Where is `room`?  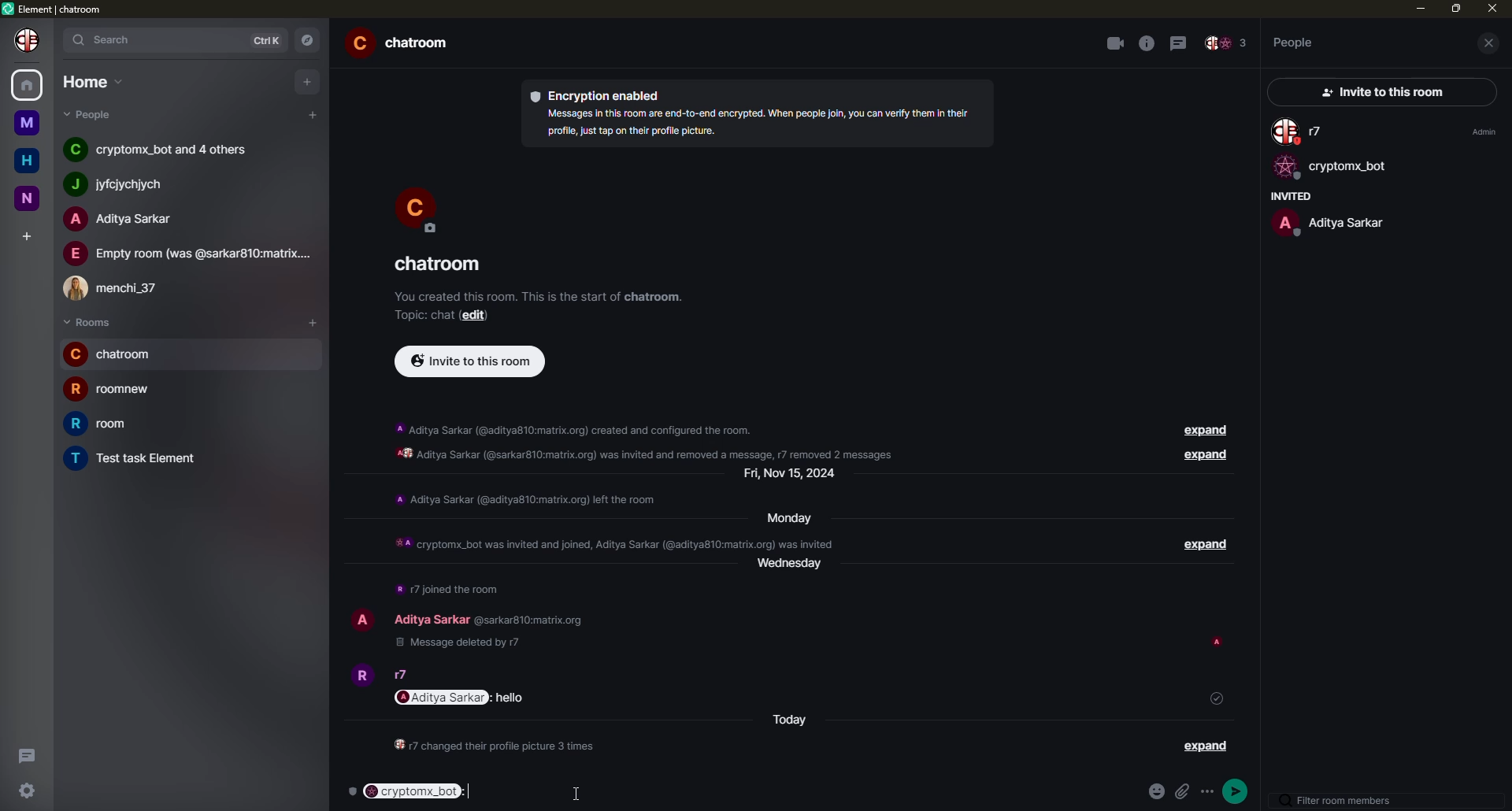 room is located at coordinates (112, 387).